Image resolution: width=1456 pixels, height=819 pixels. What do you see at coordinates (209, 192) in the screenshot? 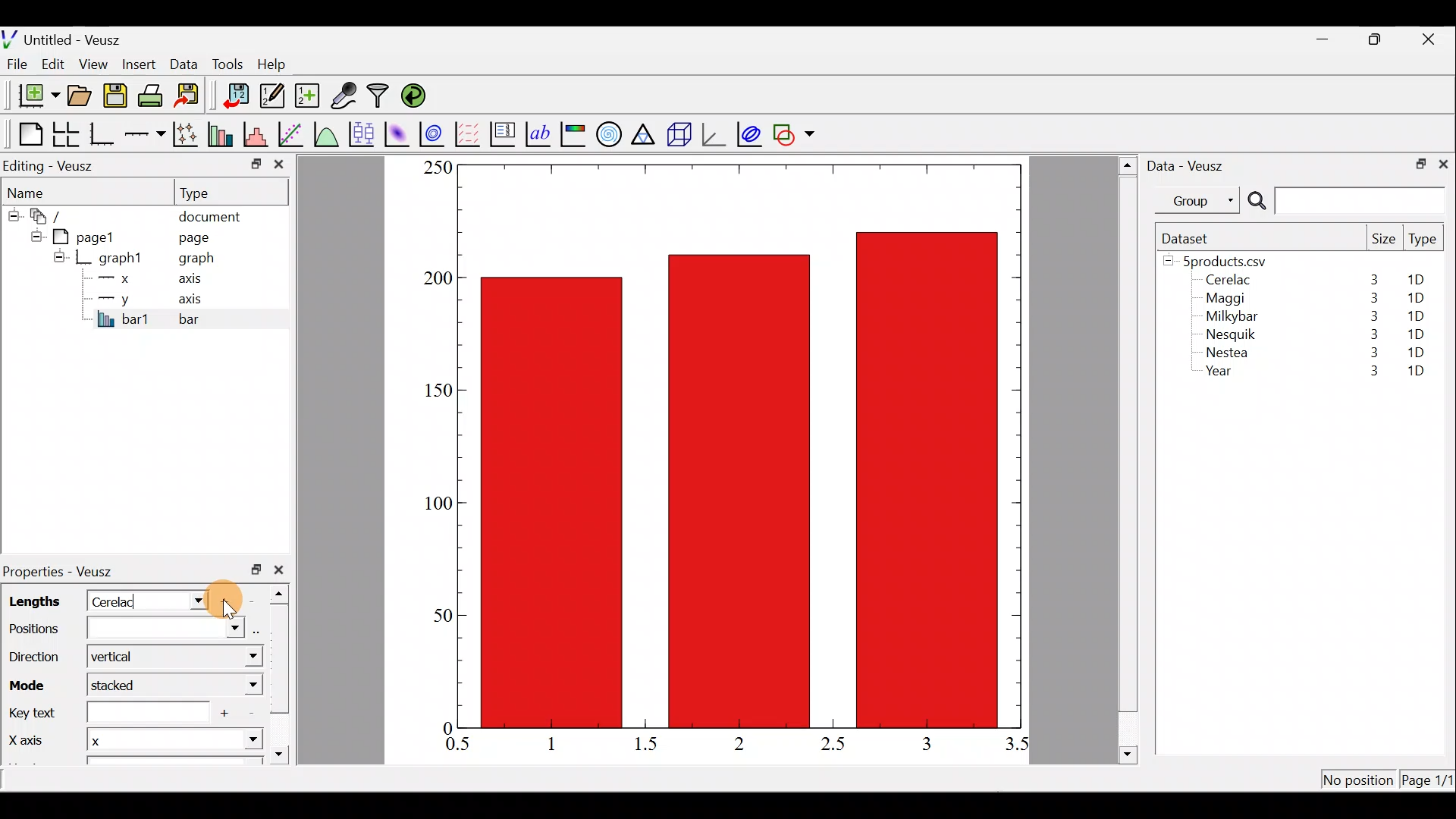
I see `Type` at bounding box center [209, 192].